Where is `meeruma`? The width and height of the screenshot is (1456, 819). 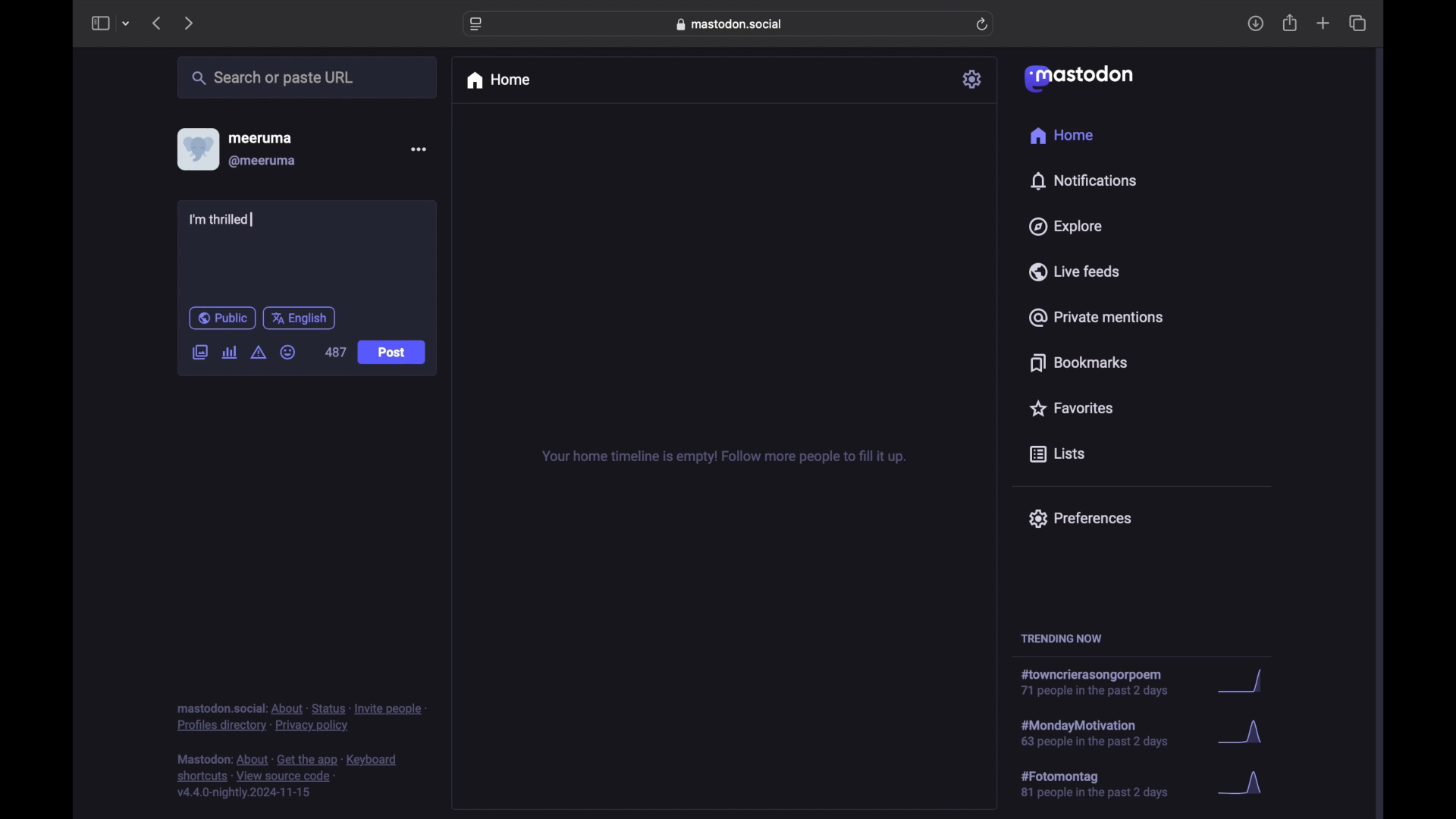
meeruma is located at coordinates (260, 138).